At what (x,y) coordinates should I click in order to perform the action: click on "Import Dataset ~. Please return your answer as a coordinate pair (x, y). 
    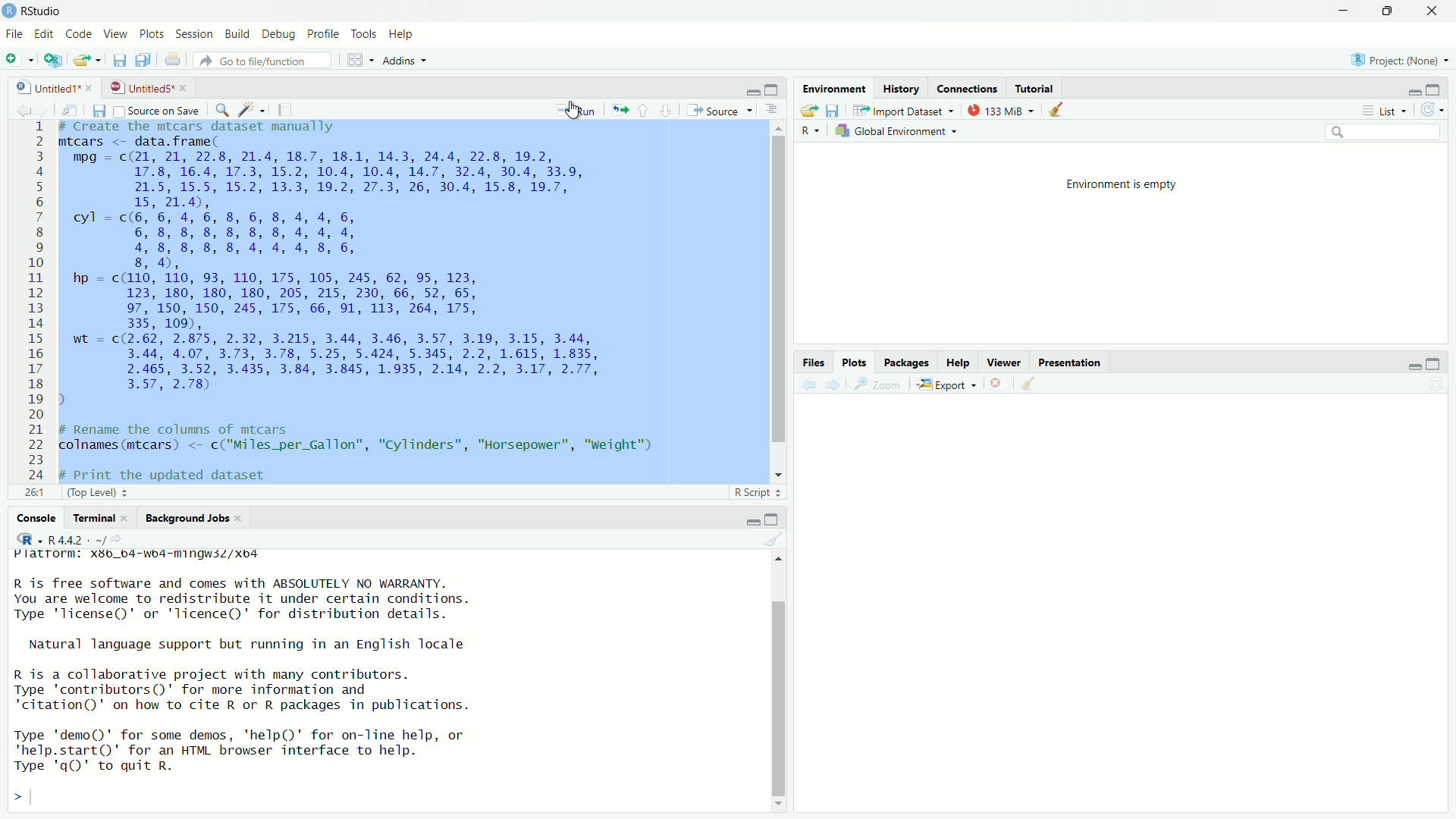
    Looking at the image, I should click on (905, 112).